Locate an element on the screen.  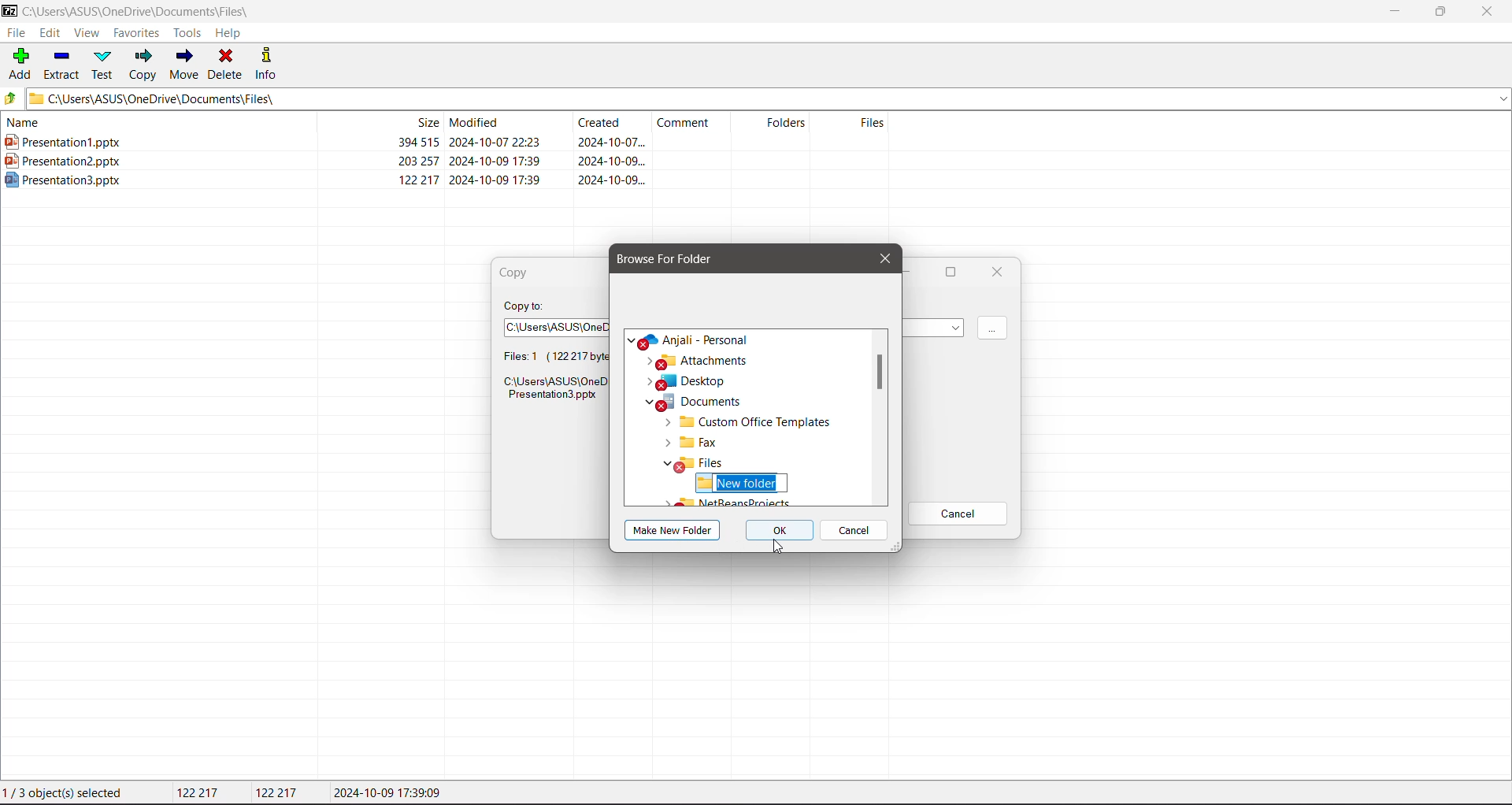
Selected file and size is located at coordinates (544, 357).